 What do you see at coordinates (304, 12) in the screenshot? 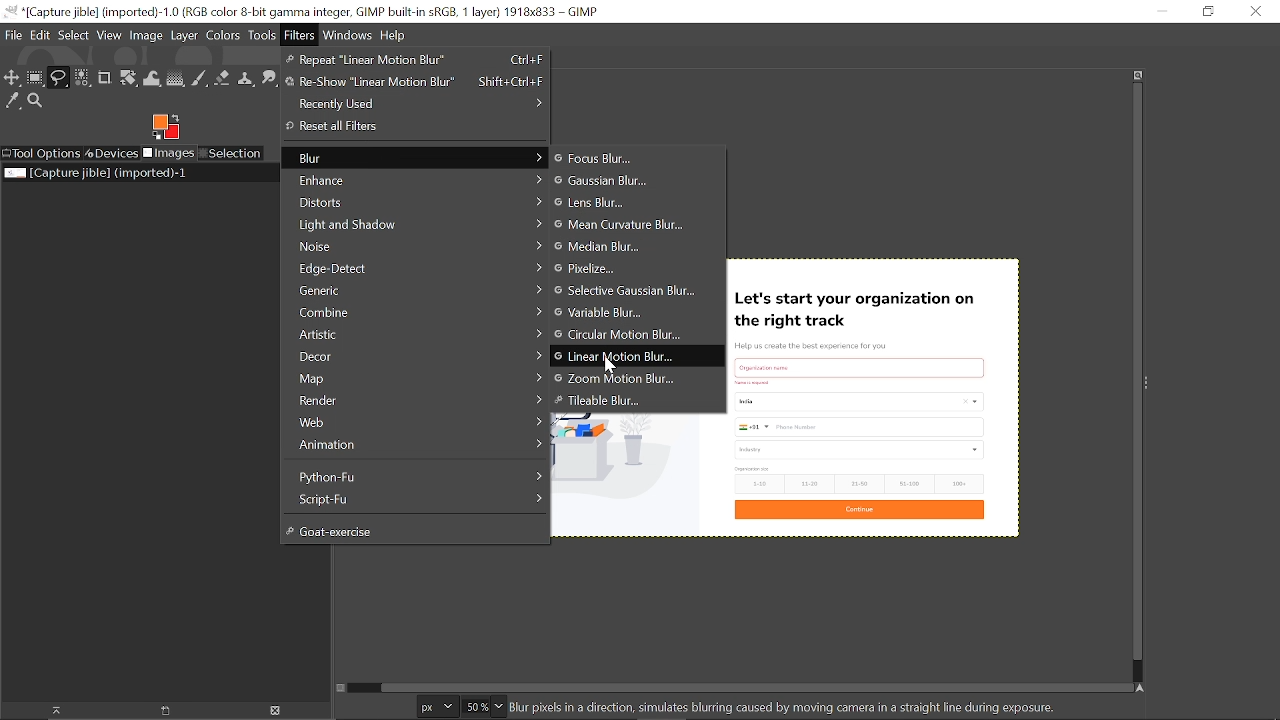
I see `Current window` at bounding box center [304, 12].